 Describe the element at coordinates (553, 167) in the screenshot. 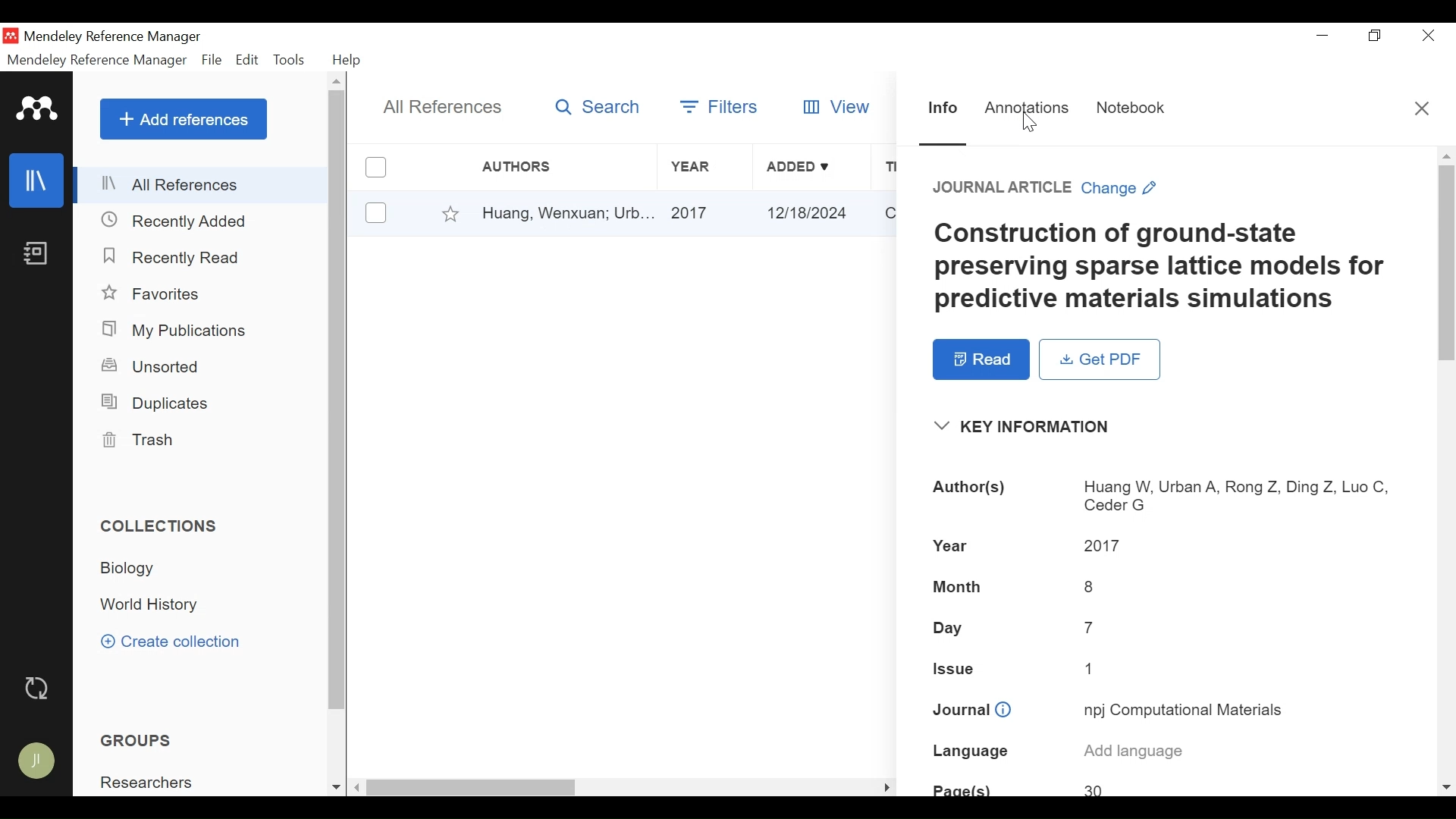

I see `Author` at that location.